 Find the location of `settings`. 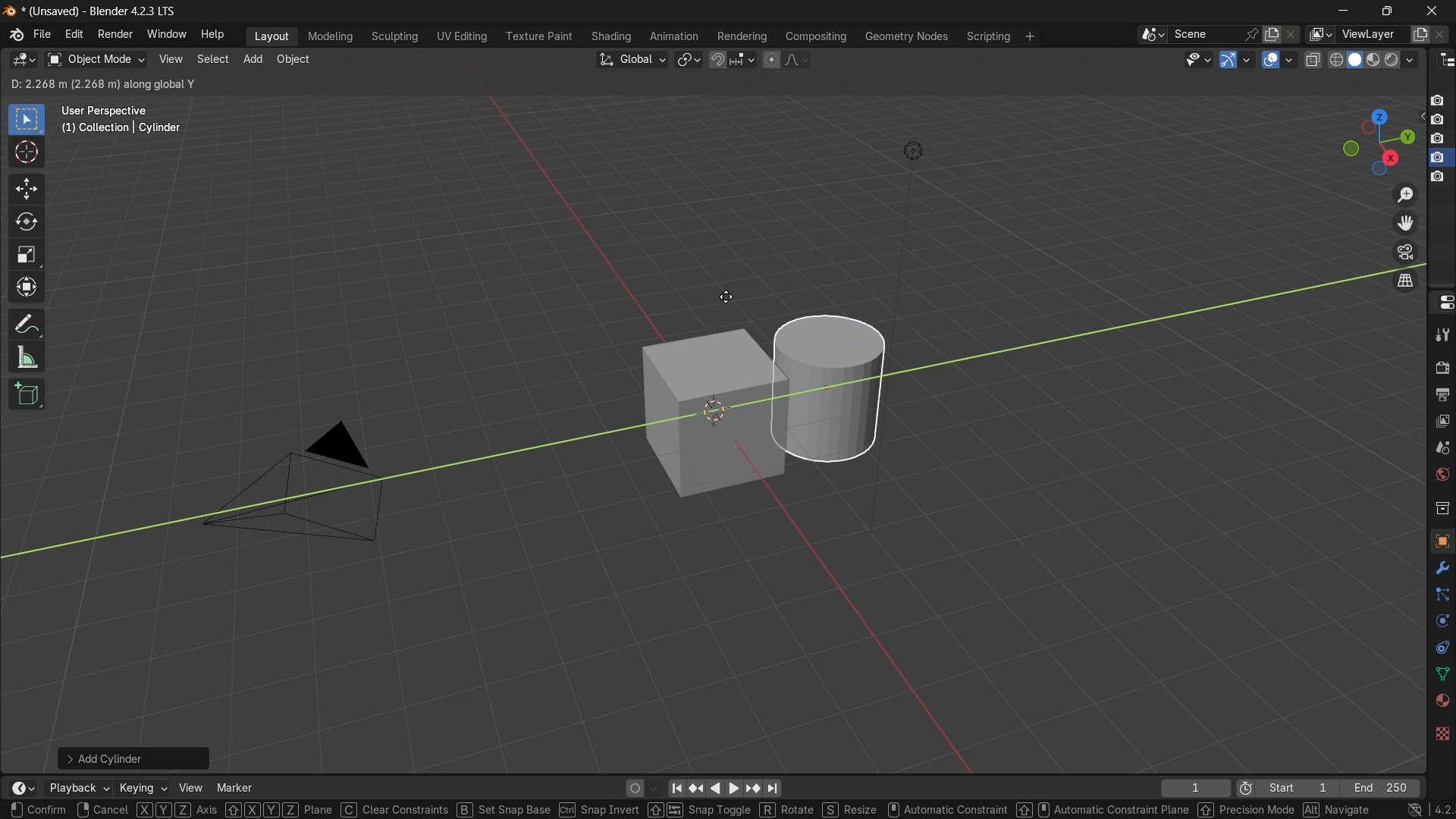

settings is located at coordinates (1439, 569).